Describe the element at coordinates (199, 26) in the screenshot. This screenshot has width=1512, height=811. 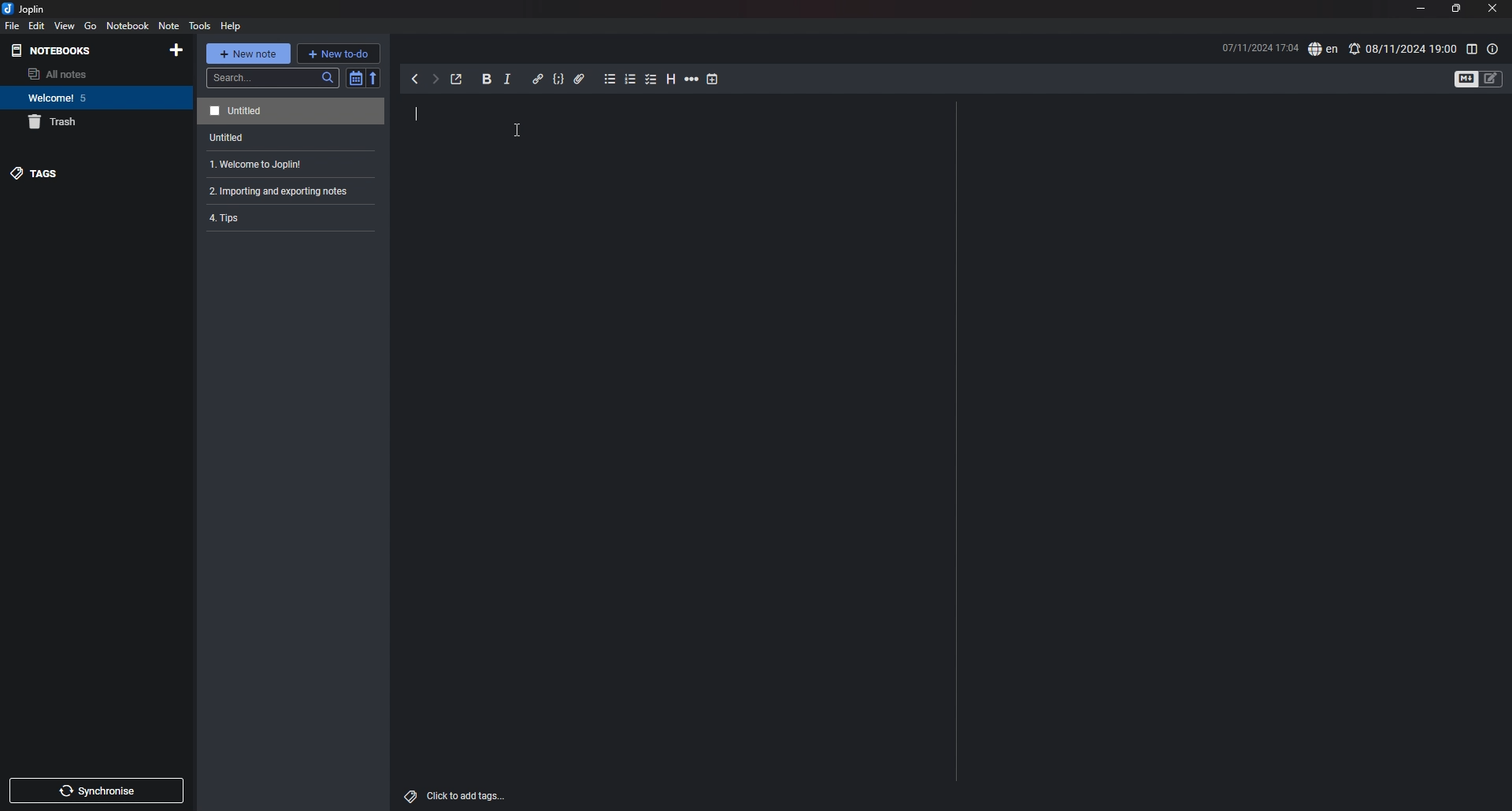
I see `tools` at that location.